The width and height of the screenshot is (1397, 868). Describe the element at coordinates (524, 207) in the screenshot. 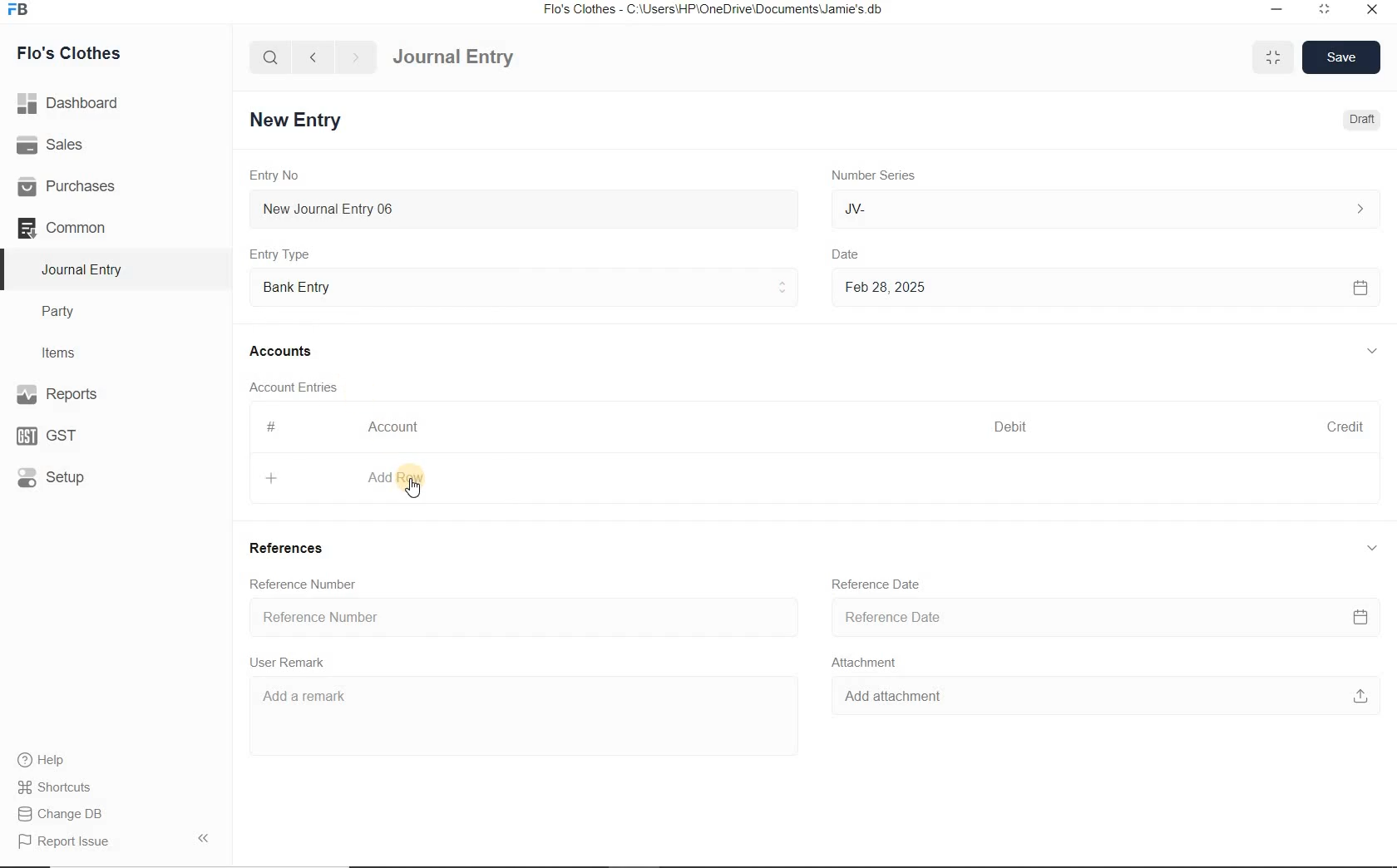

I see `New Journal Entry 06` at that location.